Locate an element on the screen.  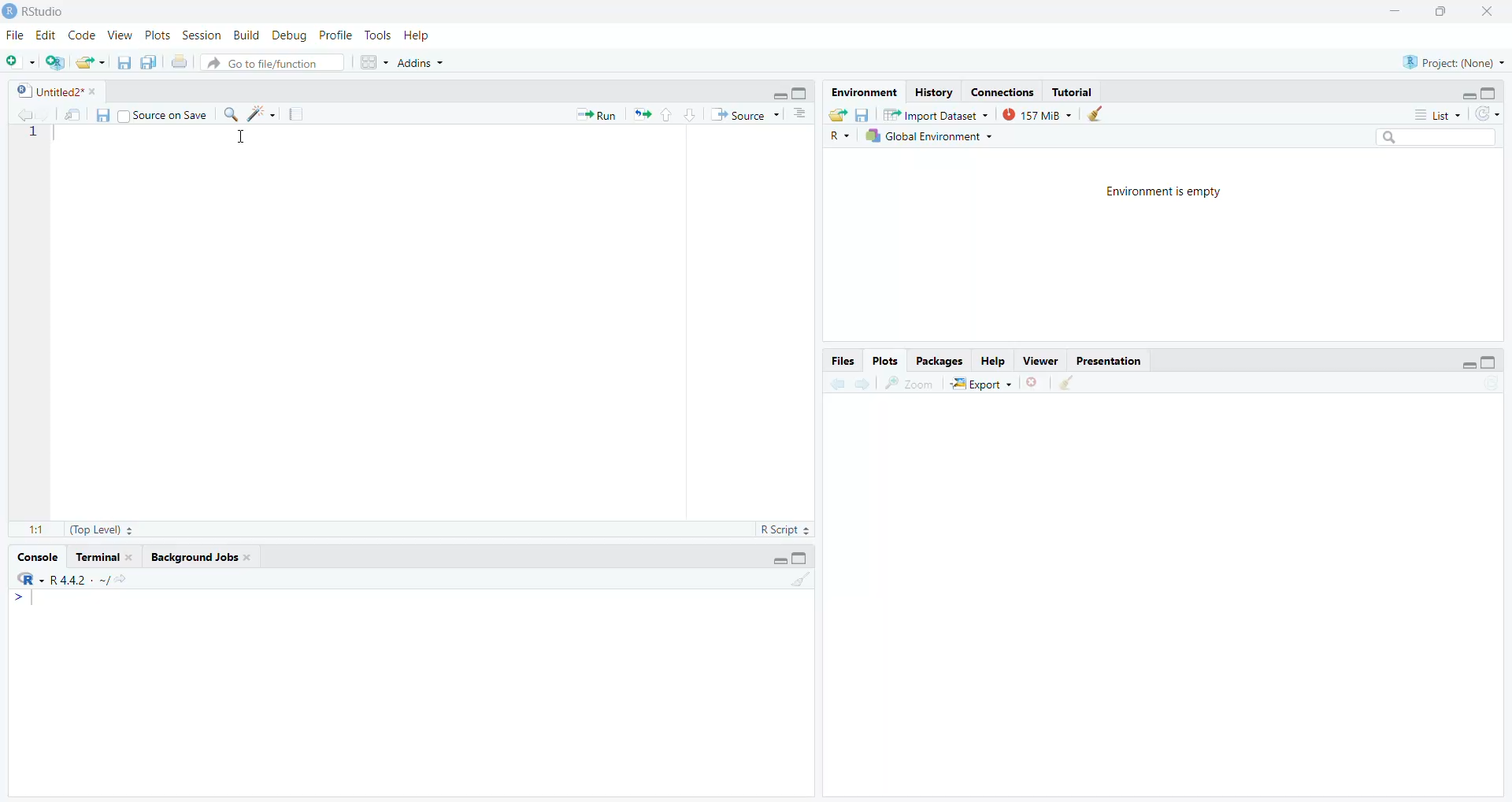
Terminal is located at coordinates (96, 555).